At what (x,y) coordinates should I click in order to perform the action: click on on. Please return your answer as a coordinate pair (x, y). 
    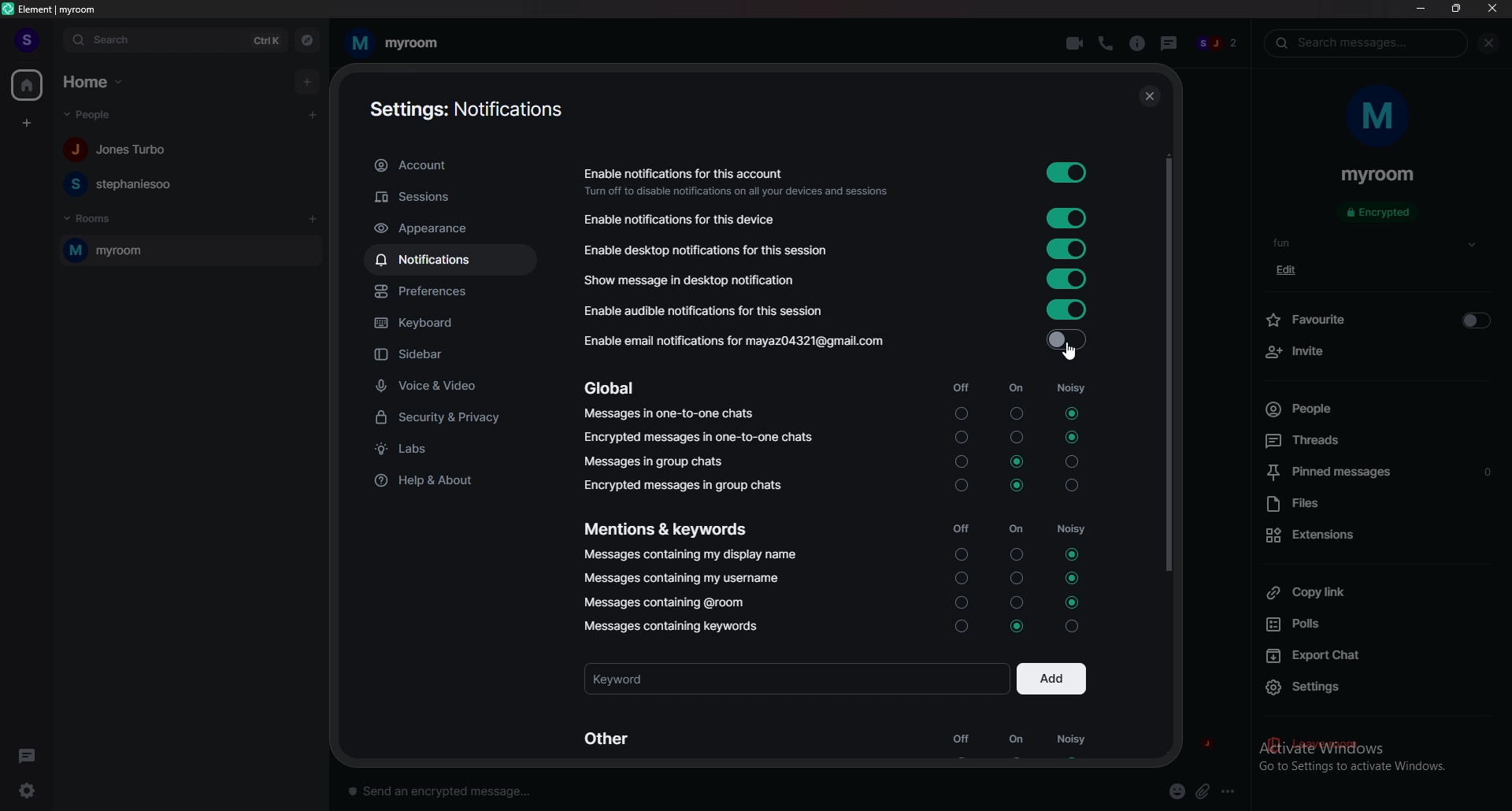
    Looking at the image, I should click on (1017, 742).